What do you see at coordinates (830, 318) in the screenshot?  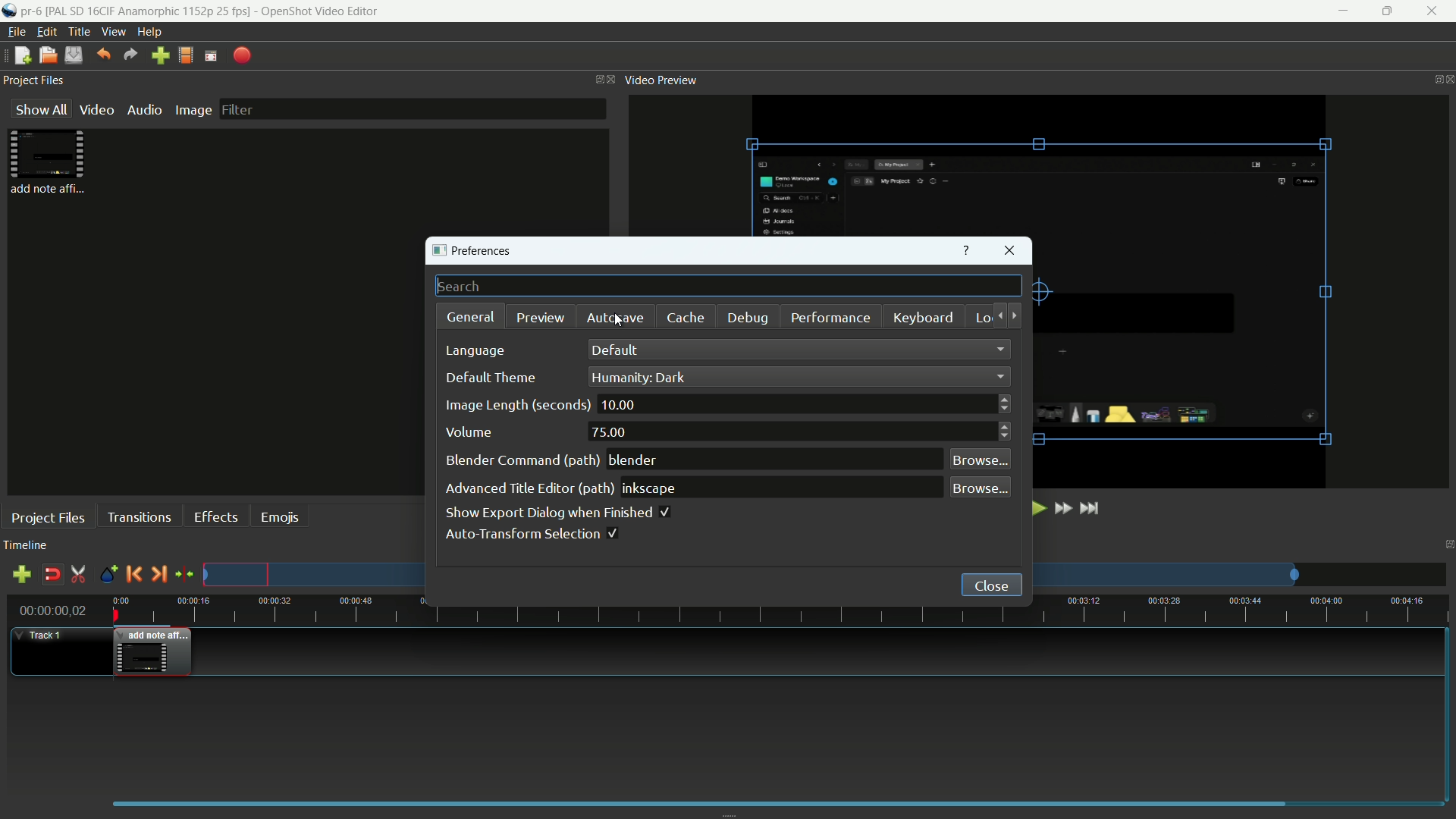 I see `performance` at bounding box center [830, 318].